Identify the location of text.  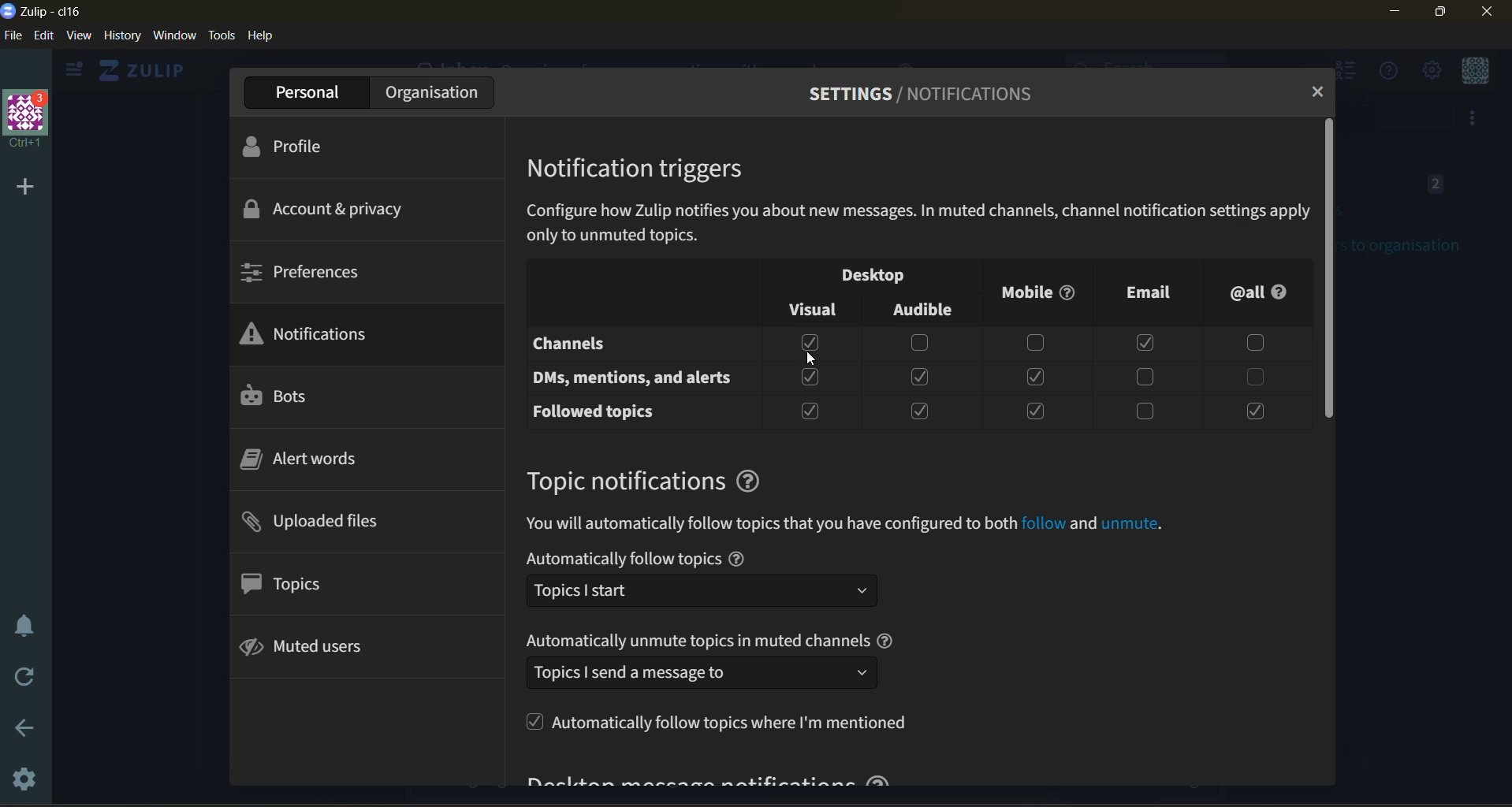
(622, 559).